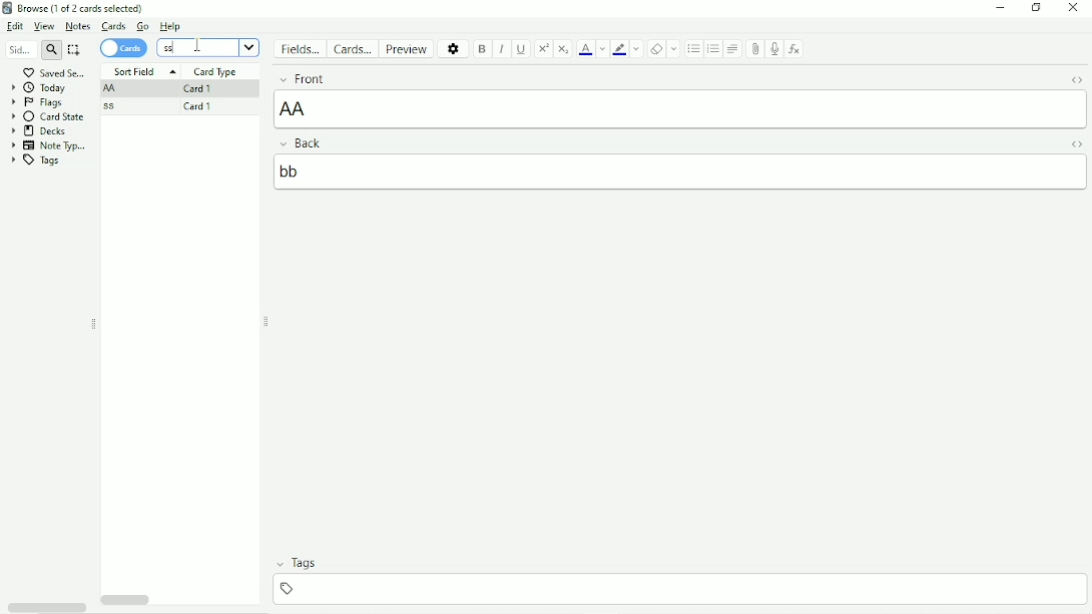  Describe the element at coordinates (37, 102) in the screenshot. I see `Flags` at that location.